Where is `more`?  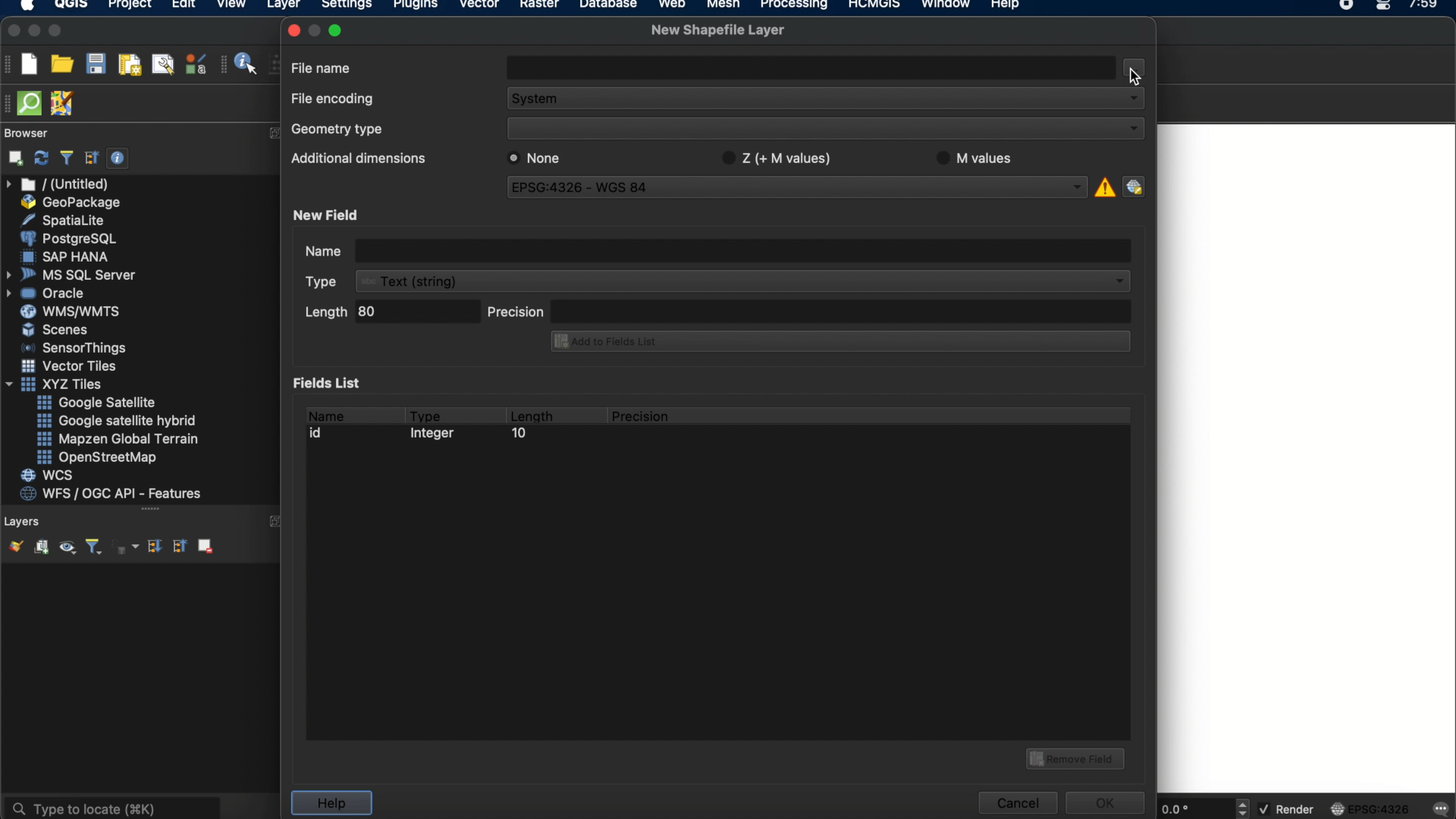 more is located at coordinates (154, 511).